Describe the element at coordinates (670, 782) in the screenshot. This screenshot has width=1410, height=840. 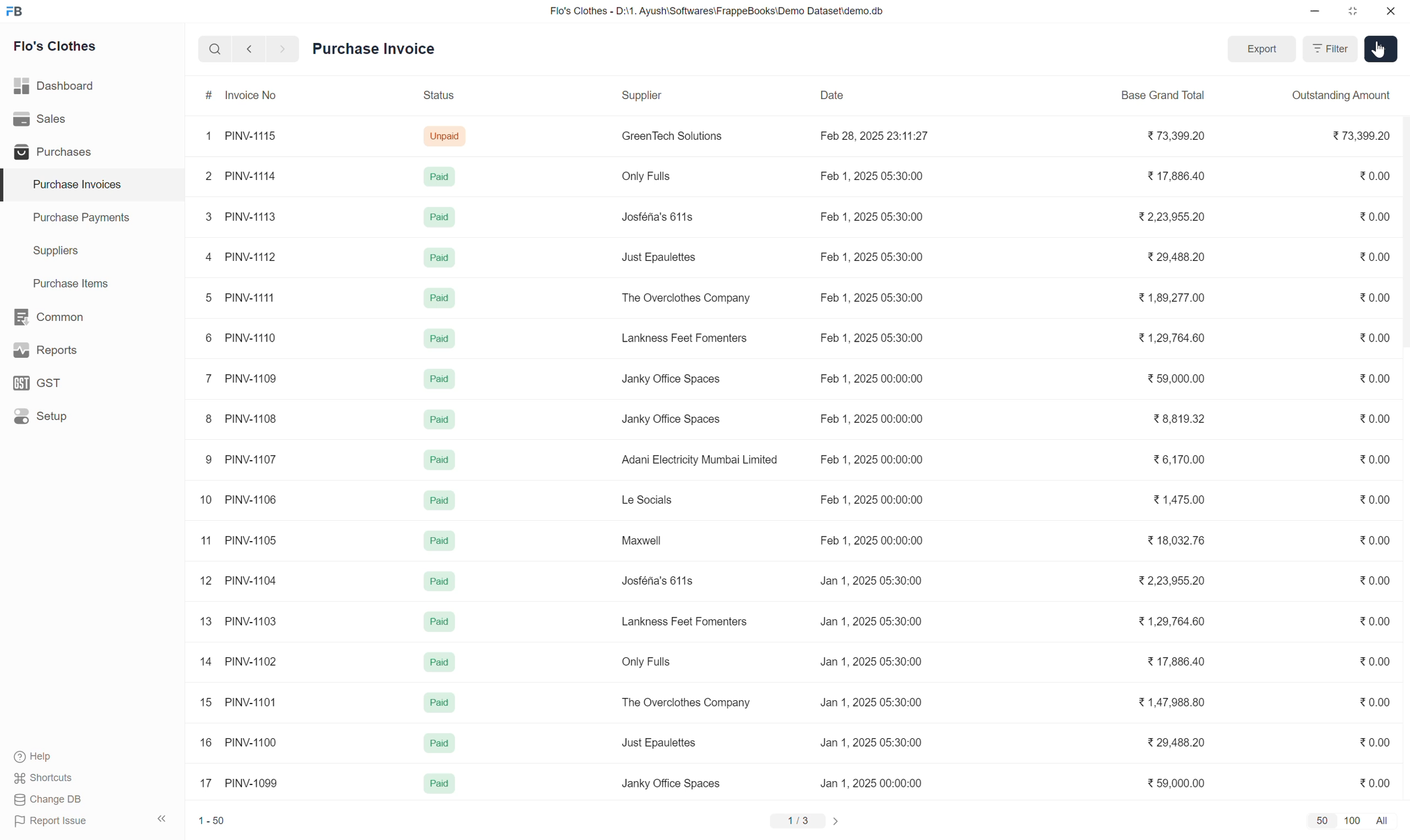
I see `Janky Office Spaces` at that location.